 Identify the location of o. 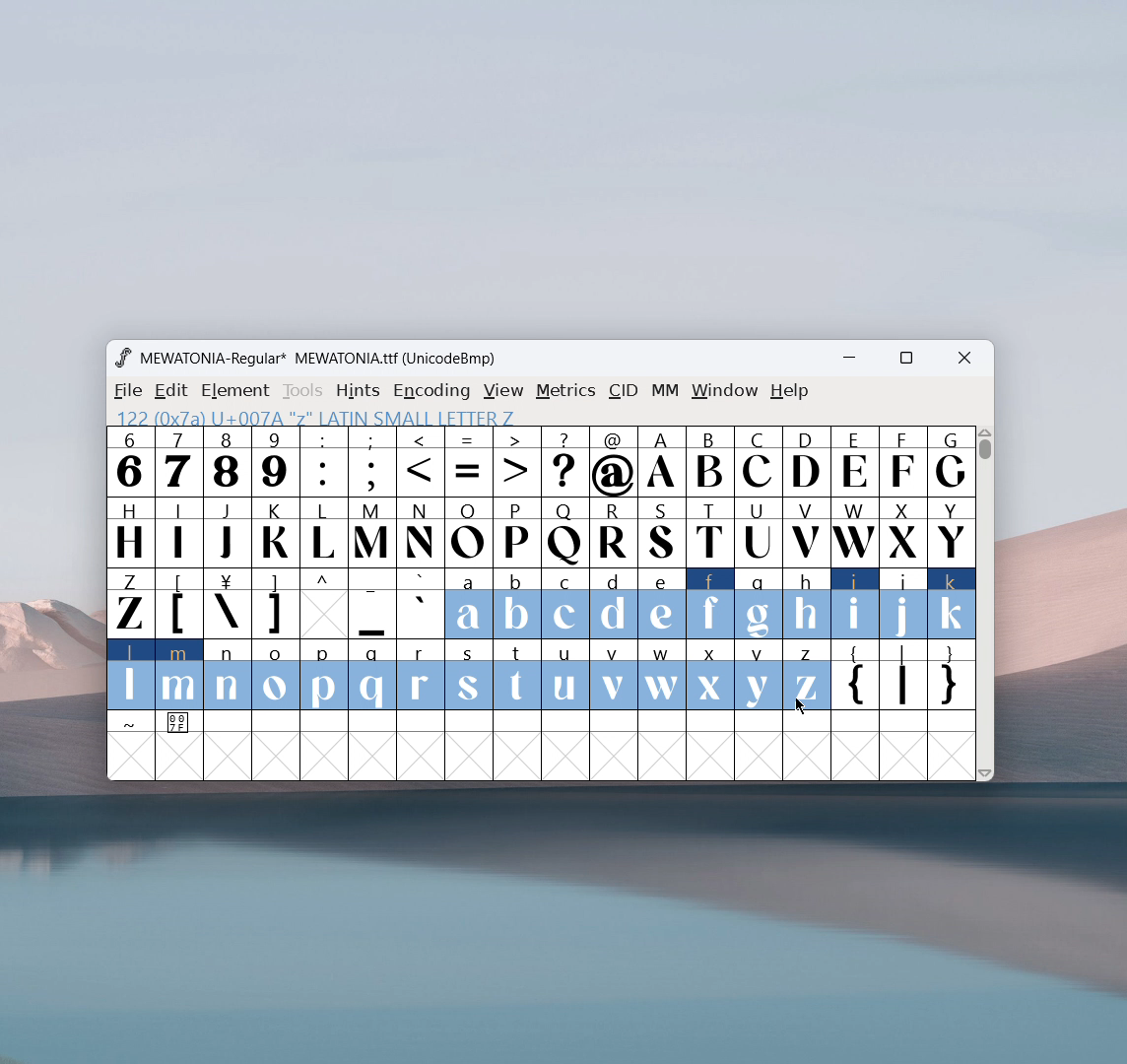
(277, 677).